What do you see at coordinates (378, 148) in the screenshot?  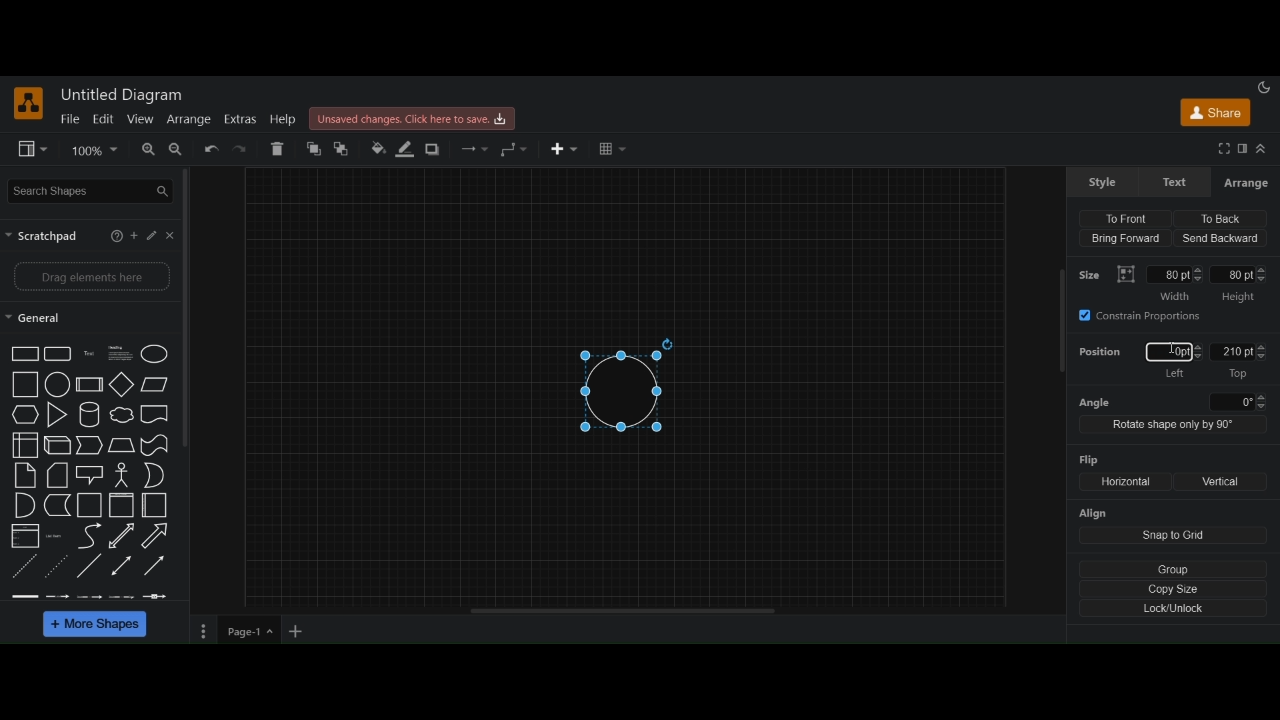 I see `fill color` at bounding box center [378, 148].